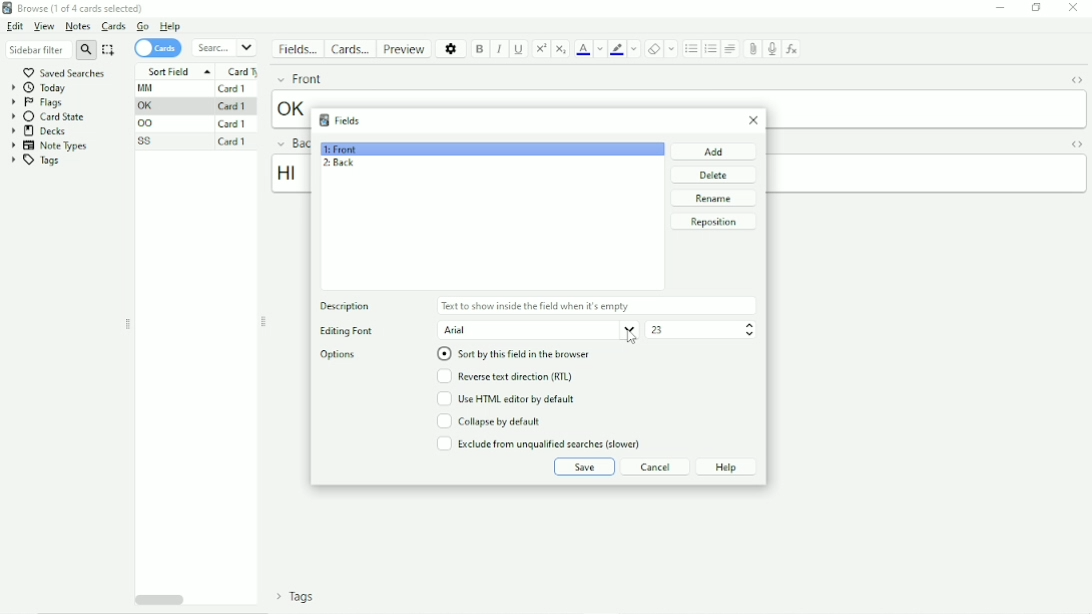  I want to click on Use HTML editor by default, so click(507, 400).